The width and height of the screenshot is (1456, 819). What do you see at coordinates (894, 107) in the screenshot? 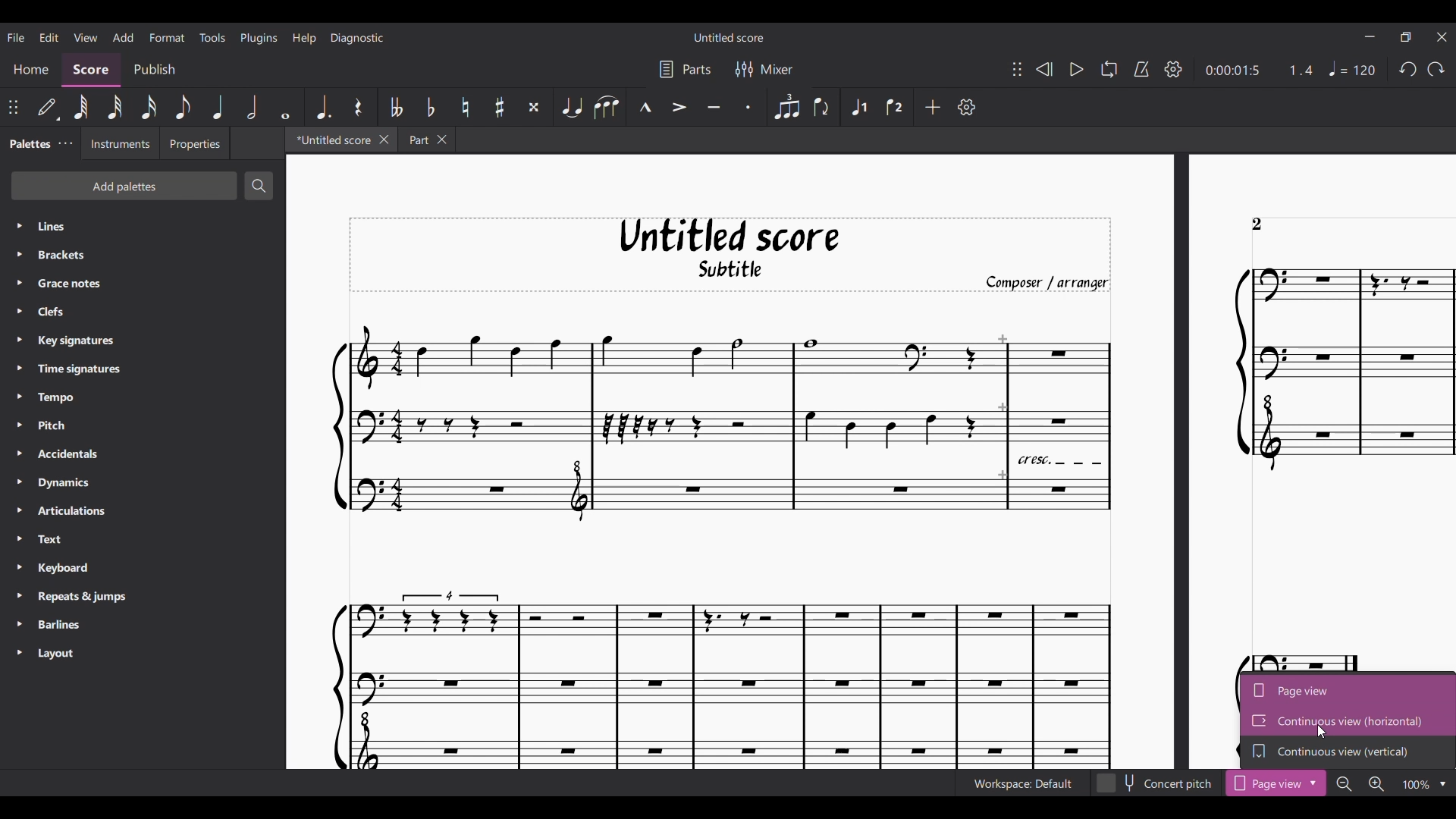
I see `Voice 2` at bounding box center [894, 107].